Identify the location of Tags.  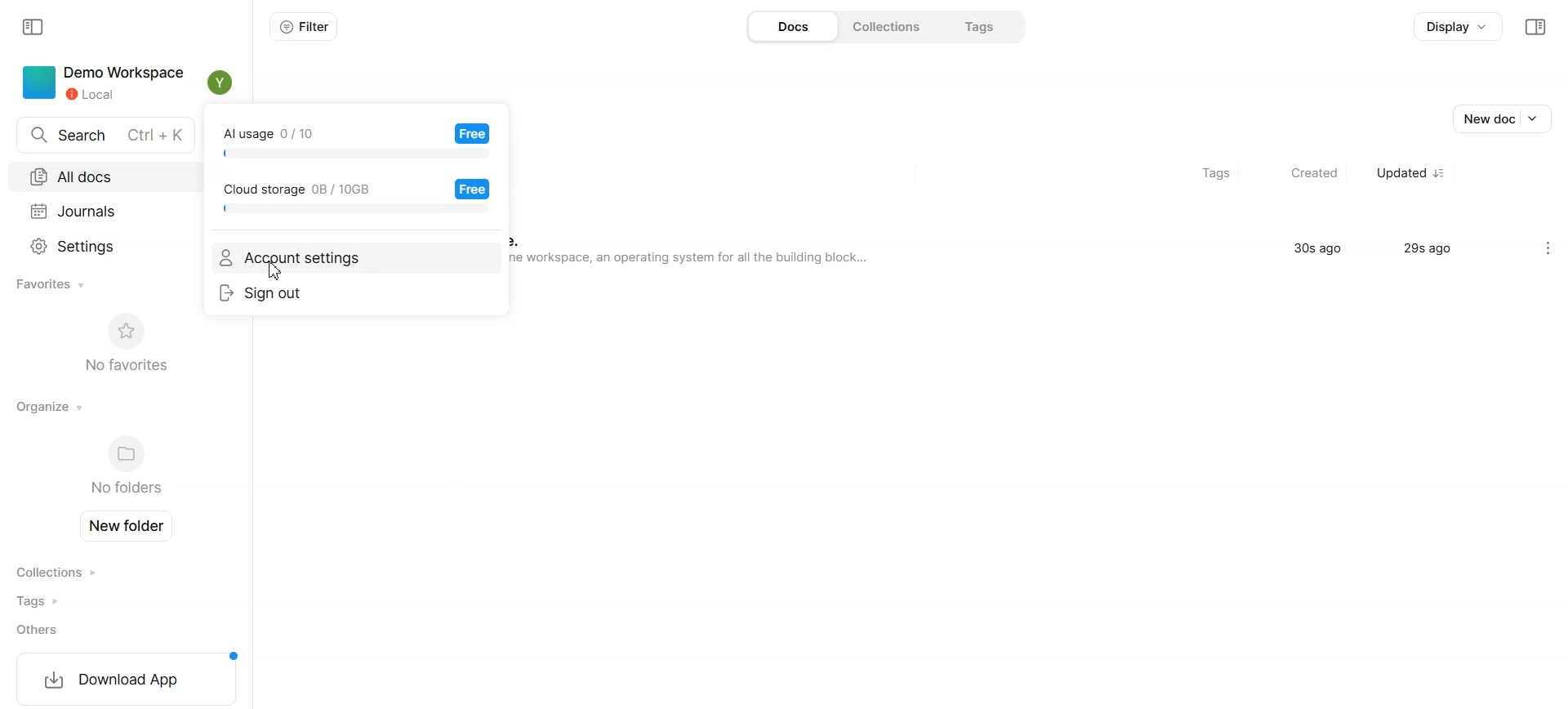
(63, 601).